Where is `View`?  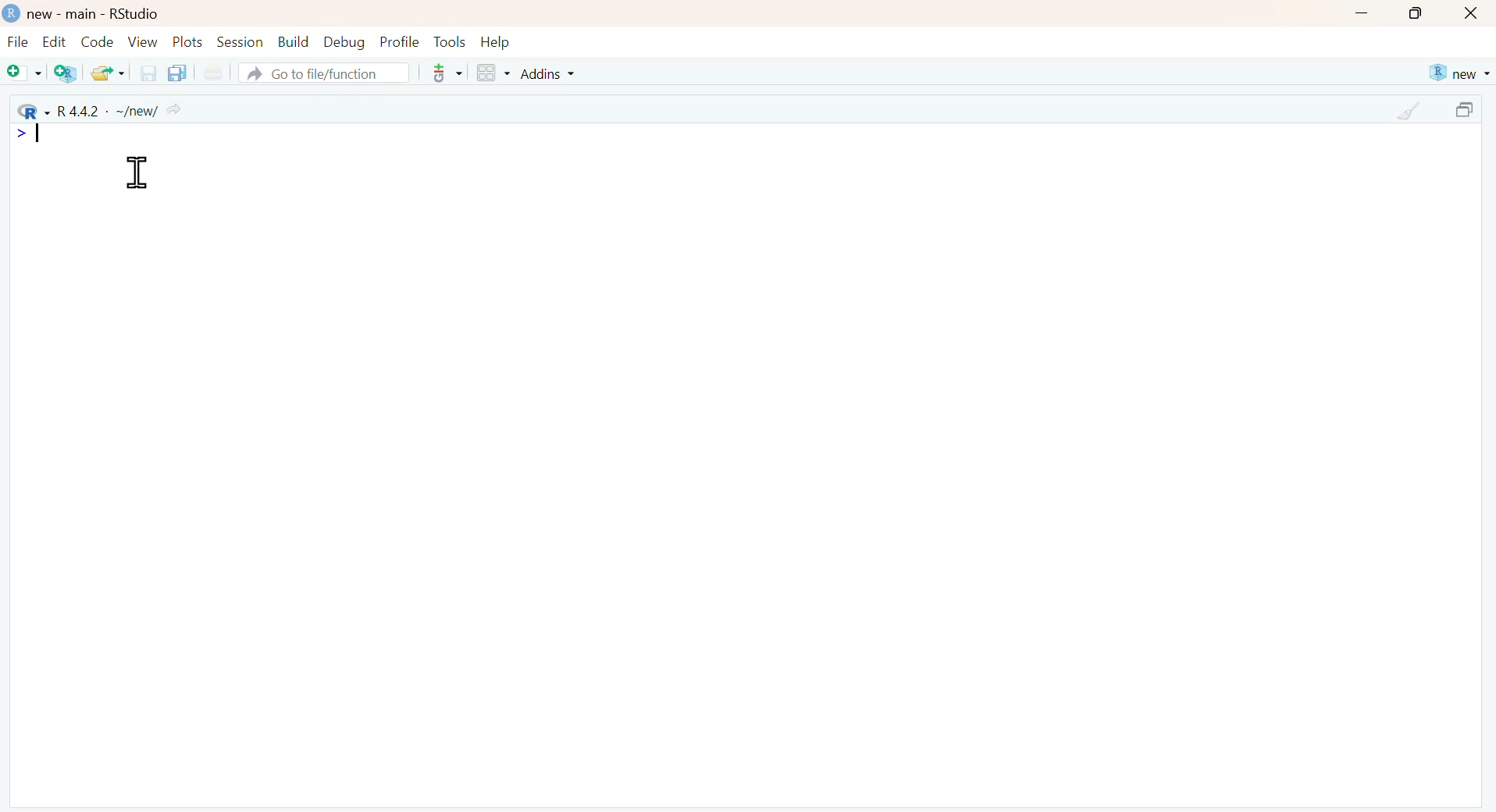
View is located at coordinates (143, 41).